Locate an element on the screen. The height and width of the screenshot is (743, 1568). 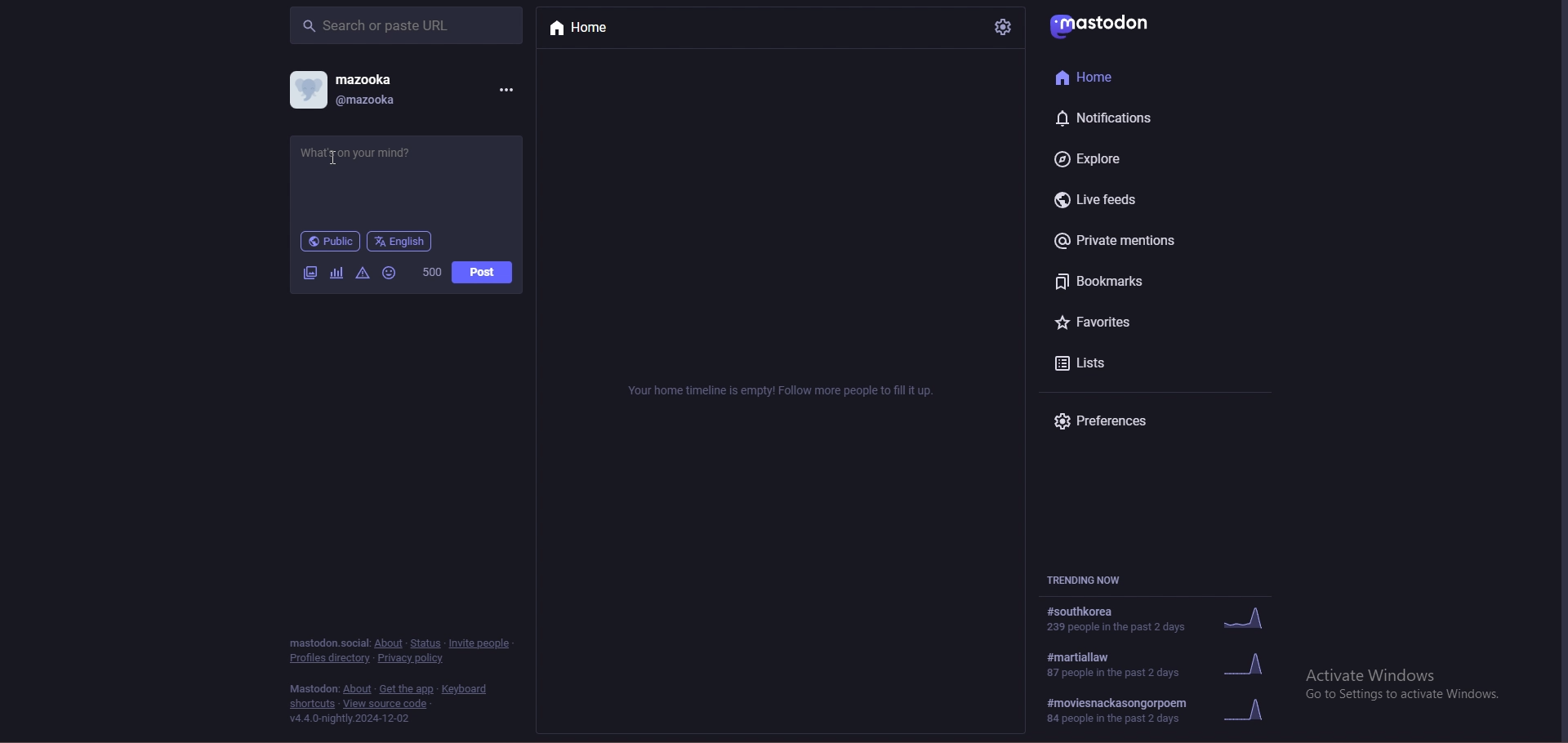
settings is located at coordinates (1001, 27).